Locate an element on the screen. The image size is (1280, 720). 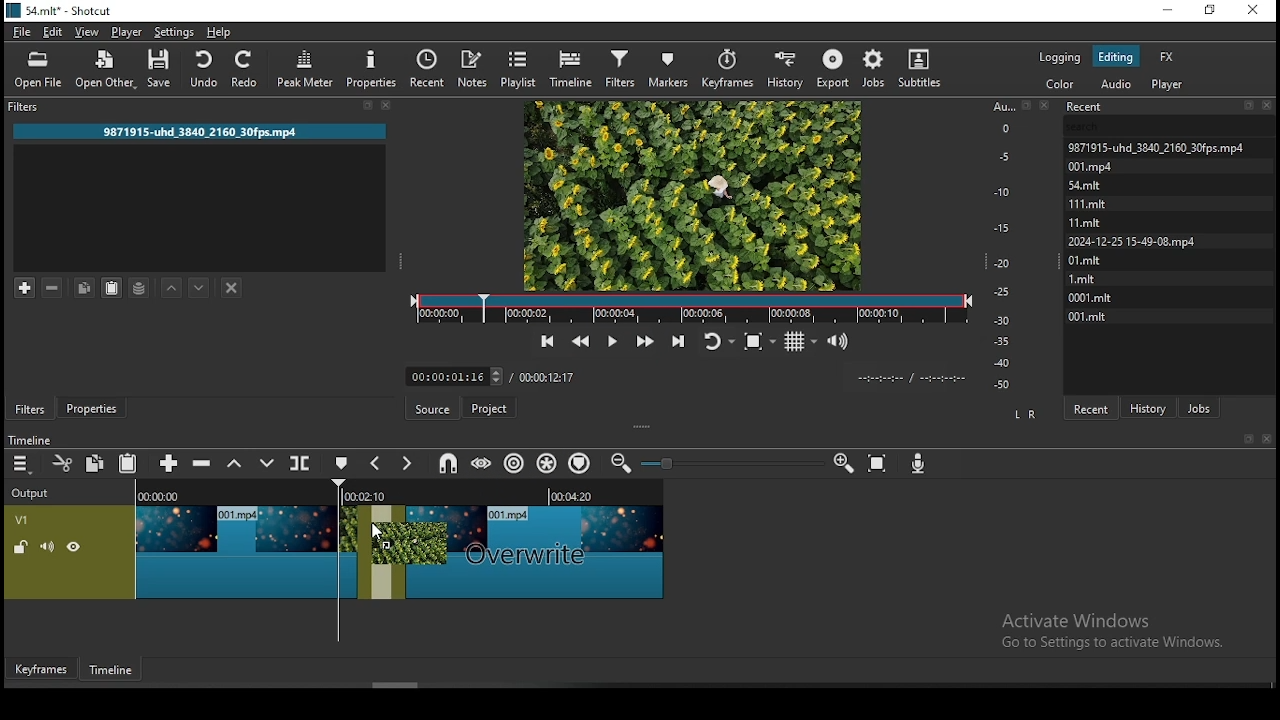
peak meter is located at coordinates (307, 66).